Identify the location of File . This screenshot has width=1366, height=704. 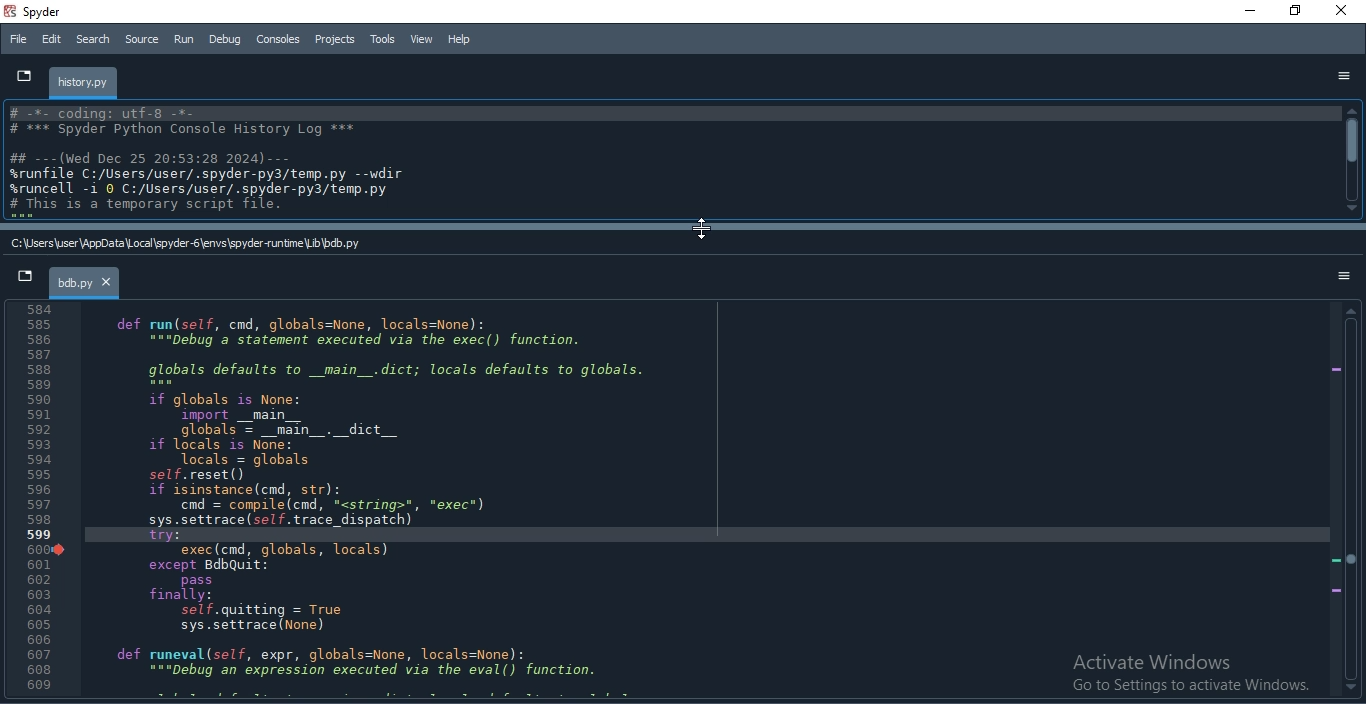
(18, 38).